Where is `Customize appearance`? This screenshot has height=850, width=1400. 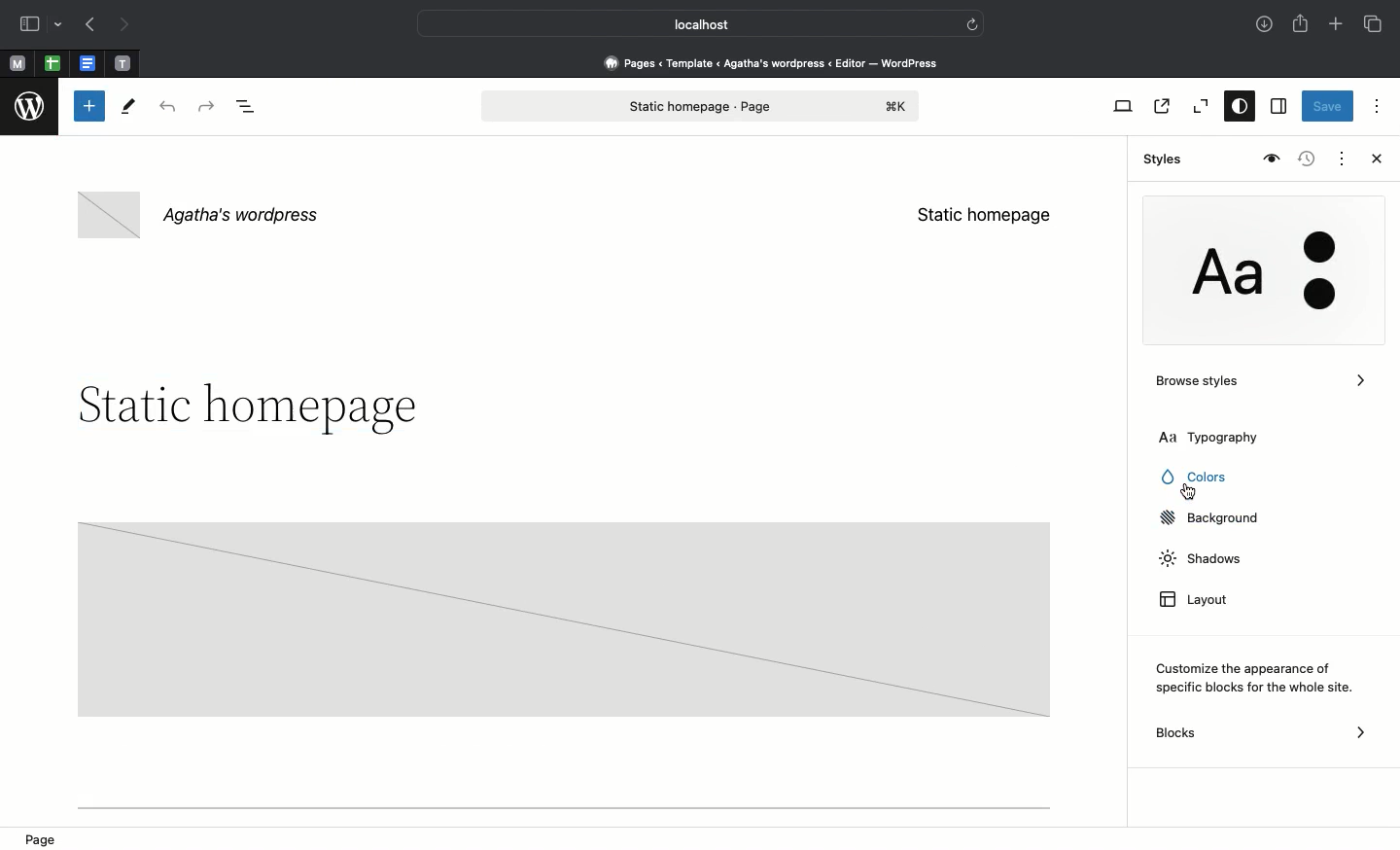 Customize appearance is located at coordinates (1256, 678).